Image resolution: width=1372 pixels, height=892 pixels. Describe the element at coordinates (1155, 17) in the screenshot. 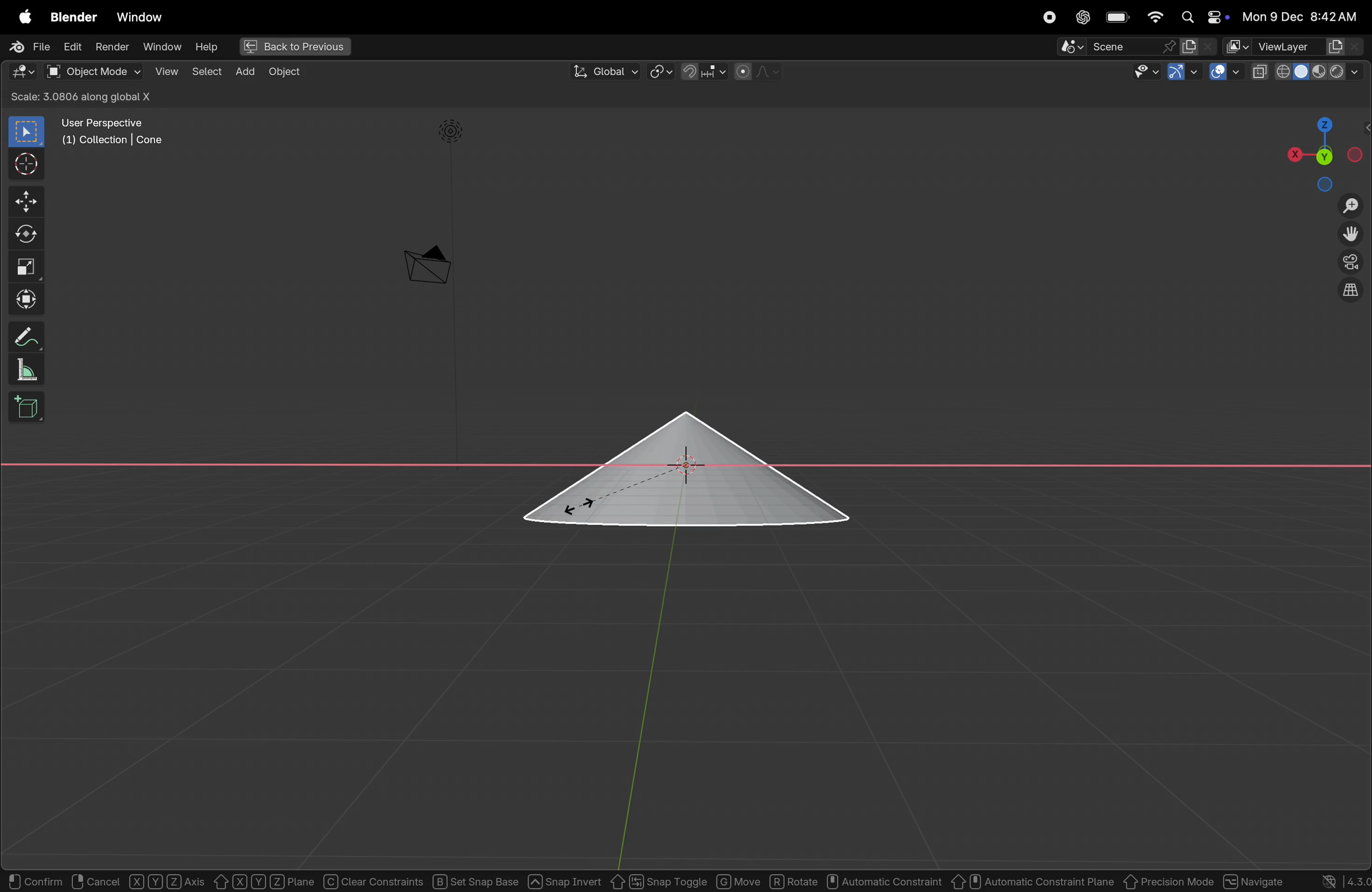

I see `wifi` at that location.